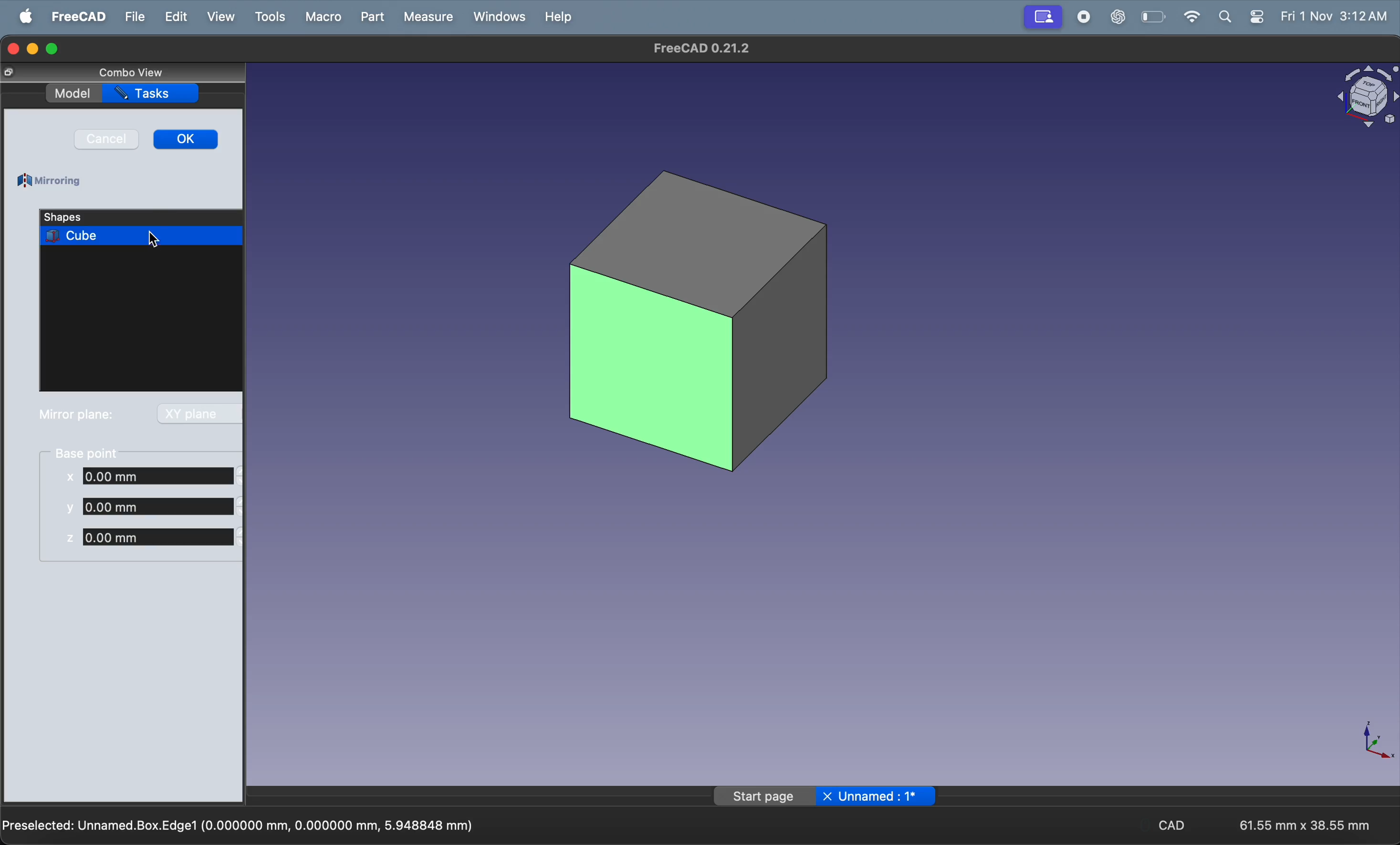  Describe the element at coordinates (197, 413) in the screenshot. I see `xy plane` at that location.